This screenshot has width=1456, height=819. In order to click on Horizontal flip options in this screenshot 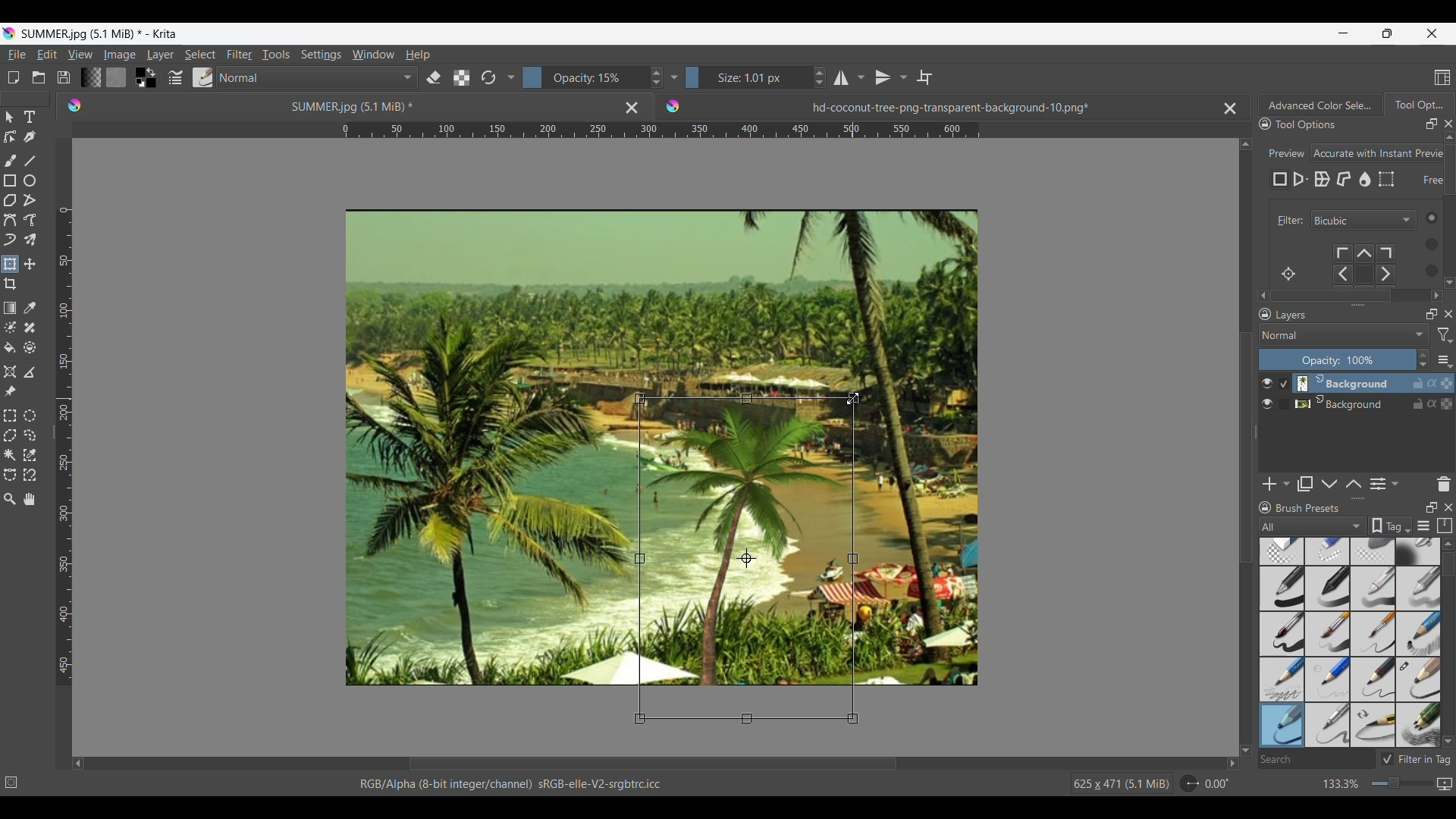, I will do `click(841, 77)`.